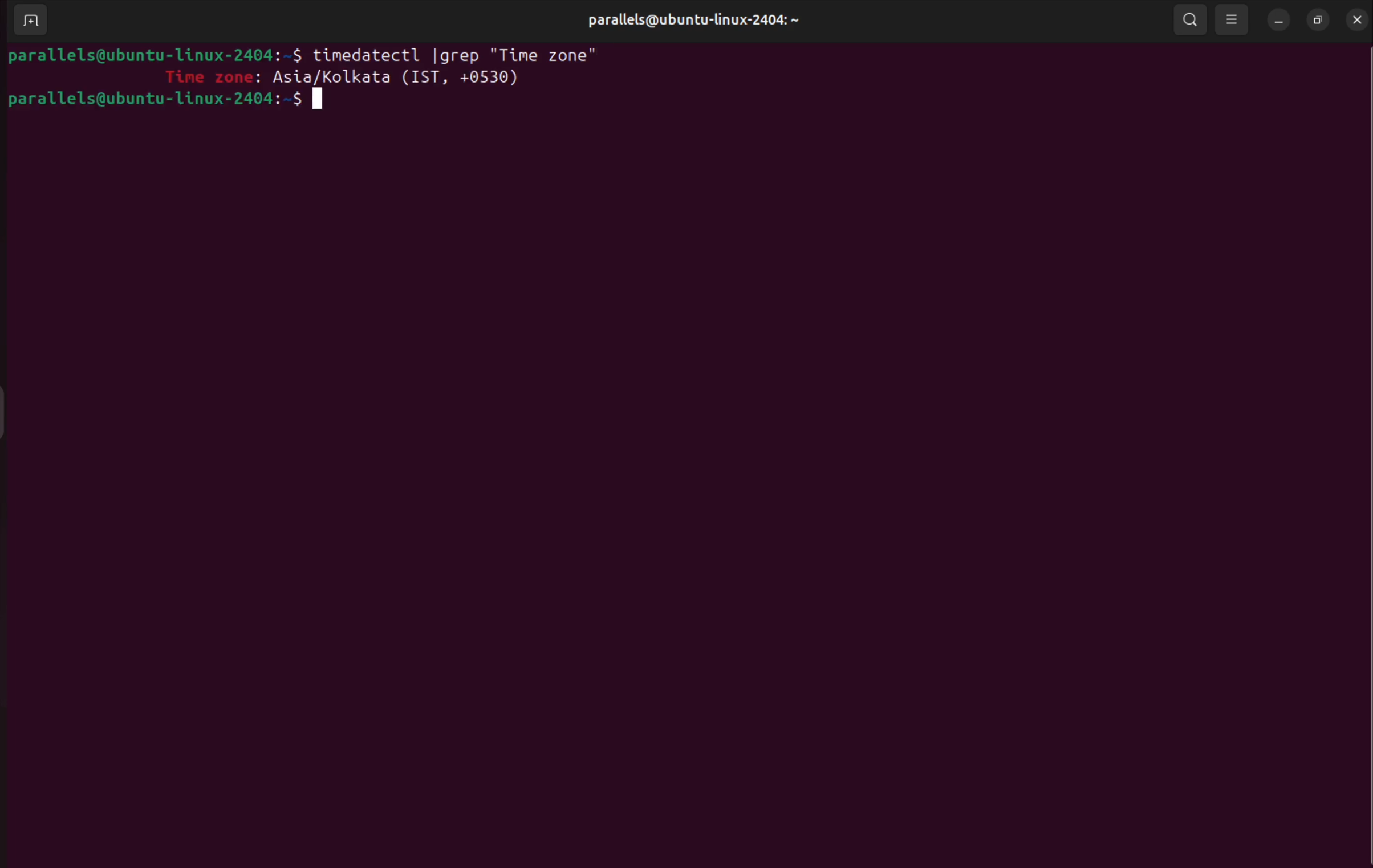 Image resolution: width=1373 pixels, height=868 pixels. I want to click on resize, so click(1319, 21).